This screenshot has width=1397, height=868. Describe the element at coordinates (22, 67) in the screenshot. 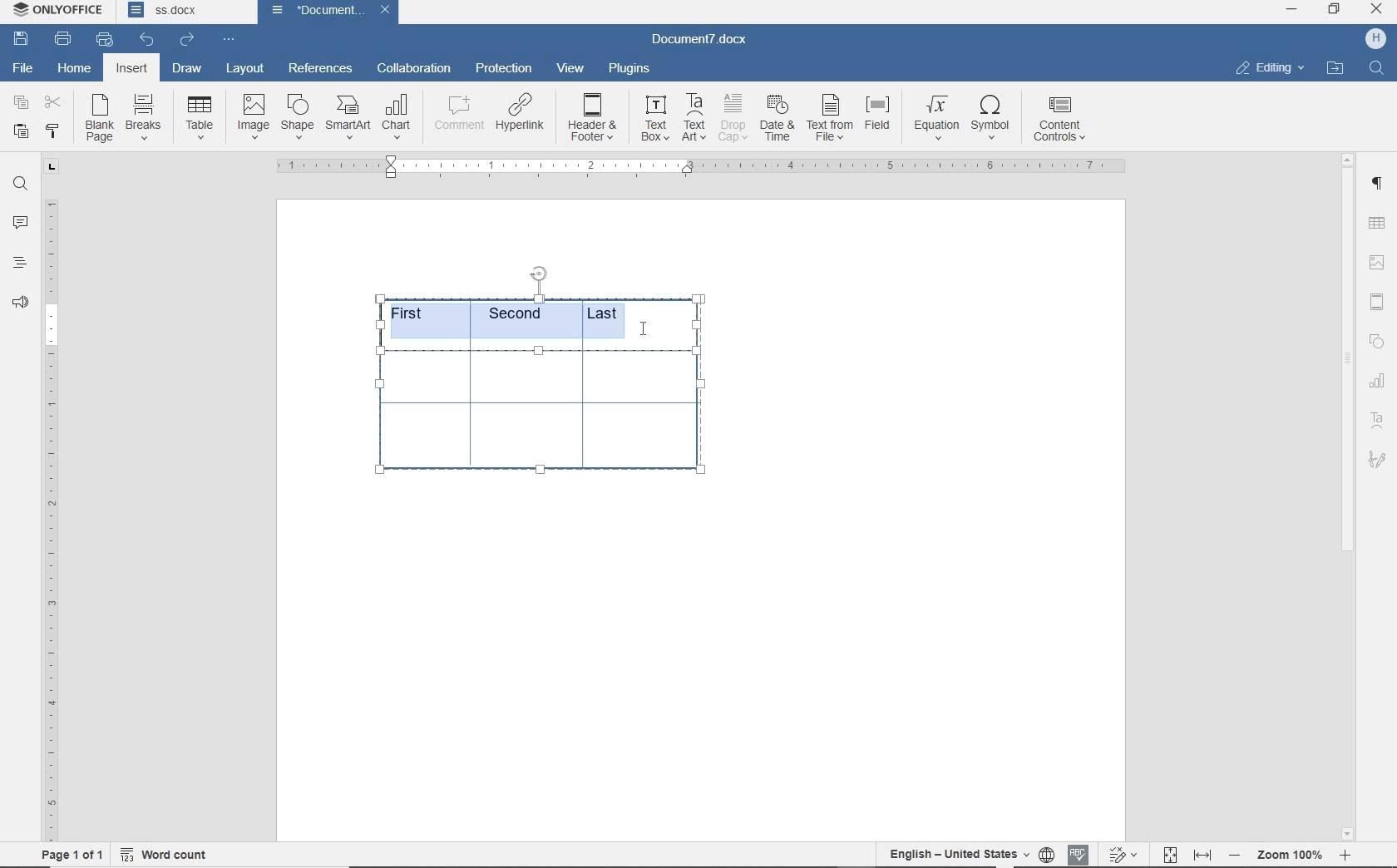

I see `file` at that location.